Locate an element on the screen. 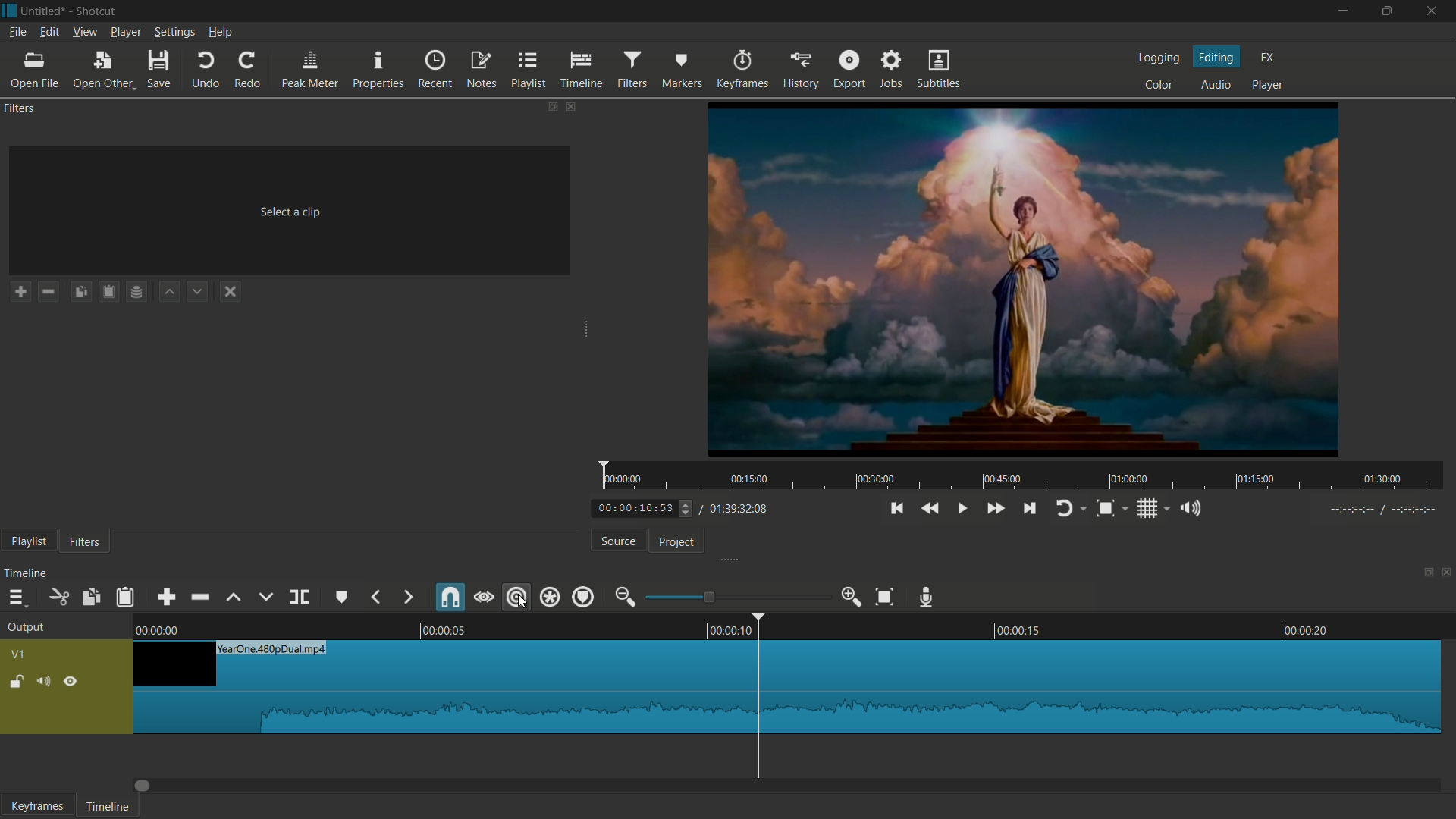  select clip is located at coordinates (293, 212).